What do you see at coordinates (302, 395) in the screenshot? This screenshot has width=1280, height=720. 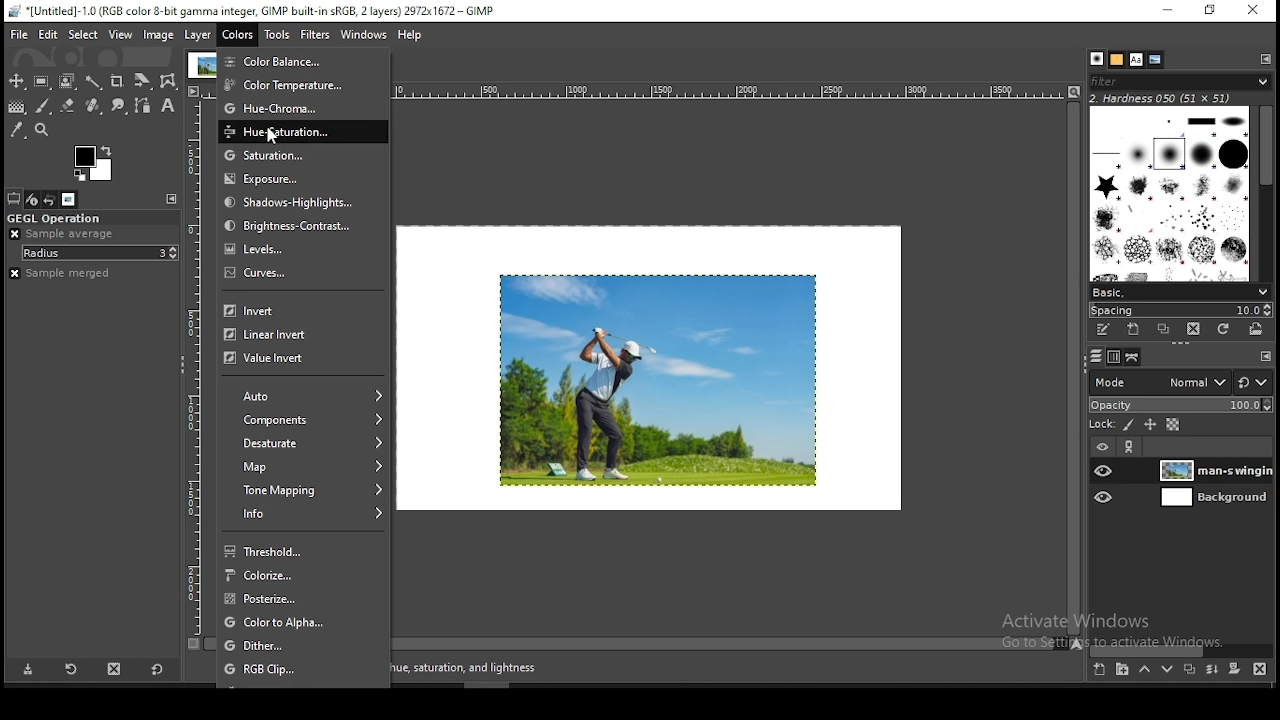 I see `auto` at bounding box center [302, 395].